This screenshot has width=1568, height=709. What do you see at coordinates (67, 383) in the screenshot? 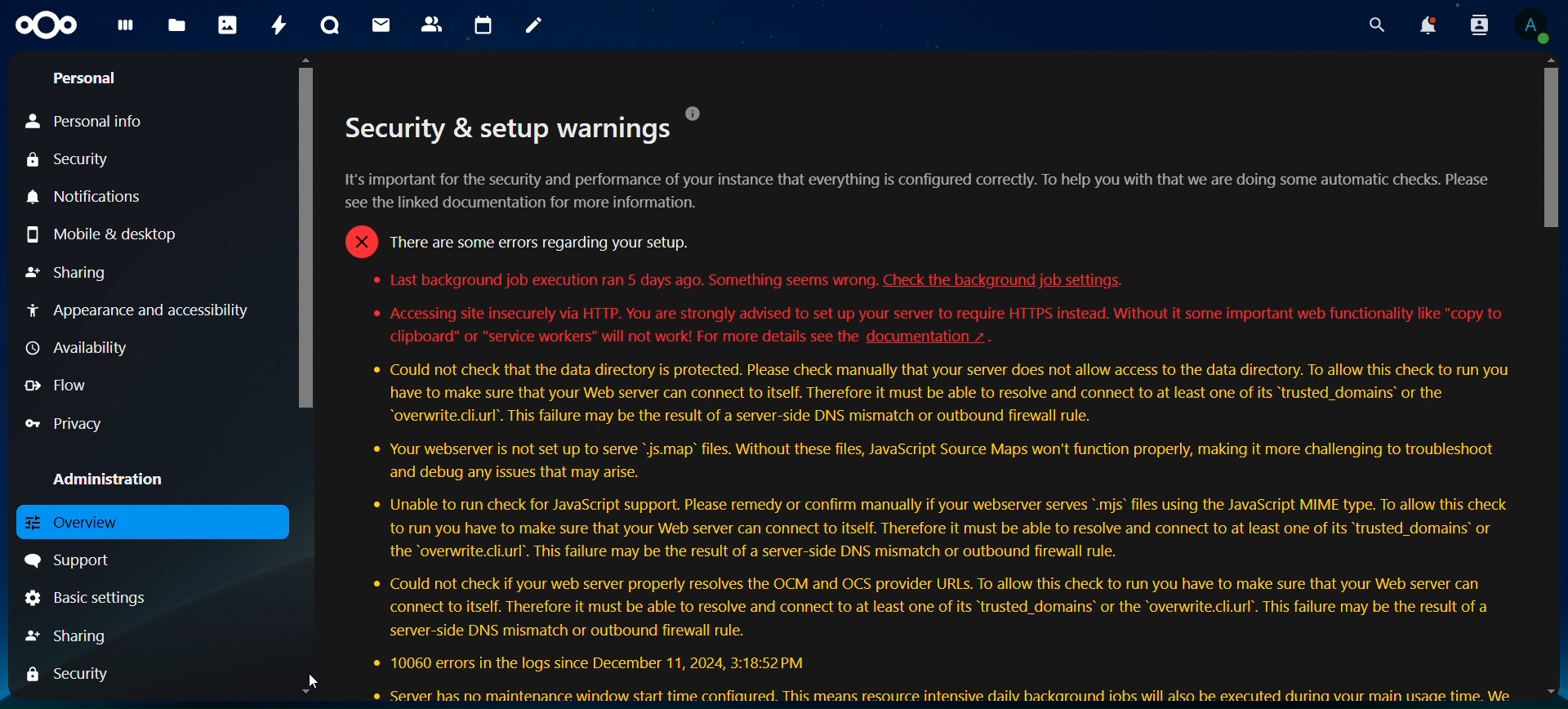
I see `flow` at bounding box center [67, 383].